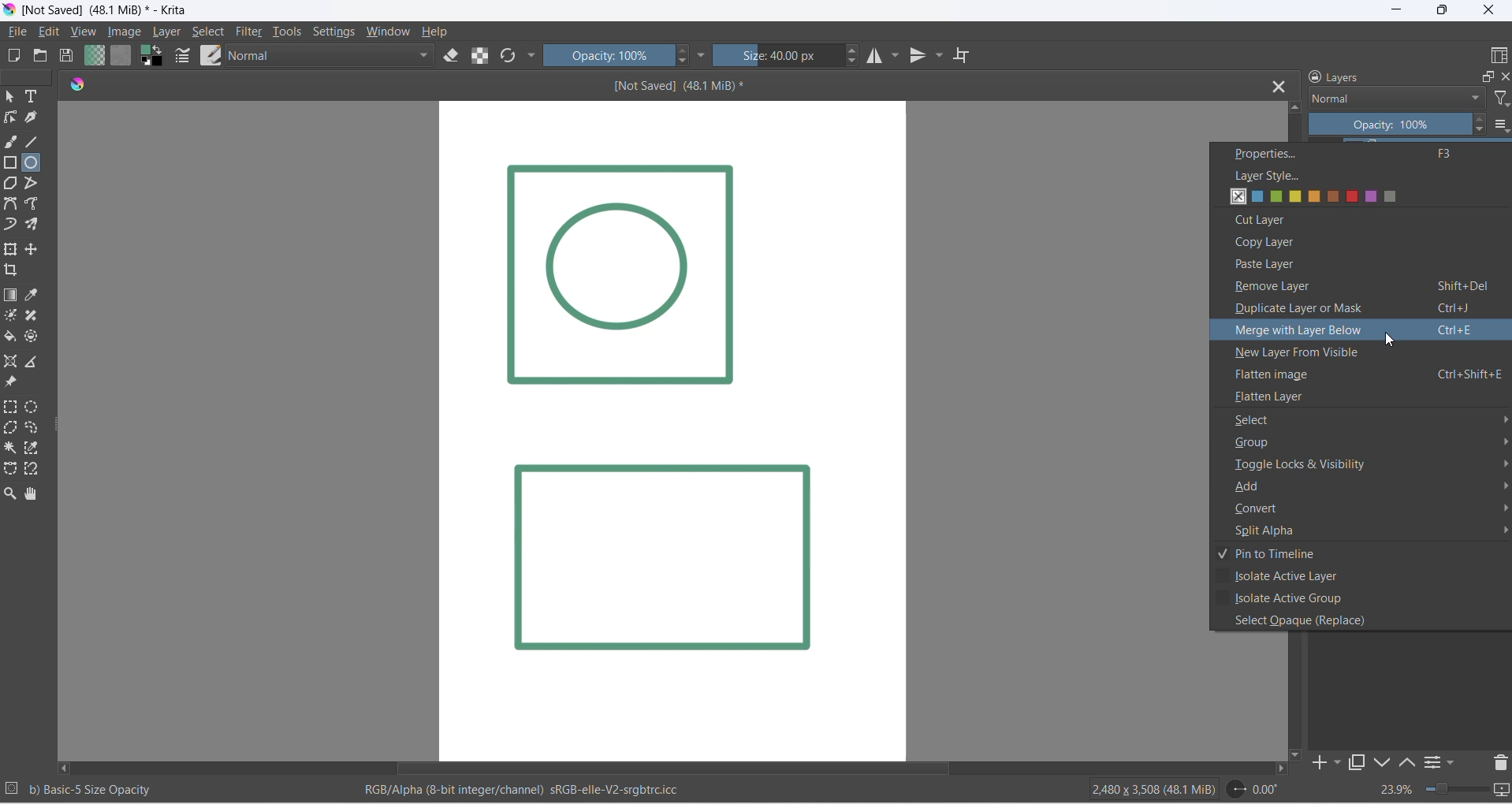  I want to click on Image layer 2, so click(667, 557).